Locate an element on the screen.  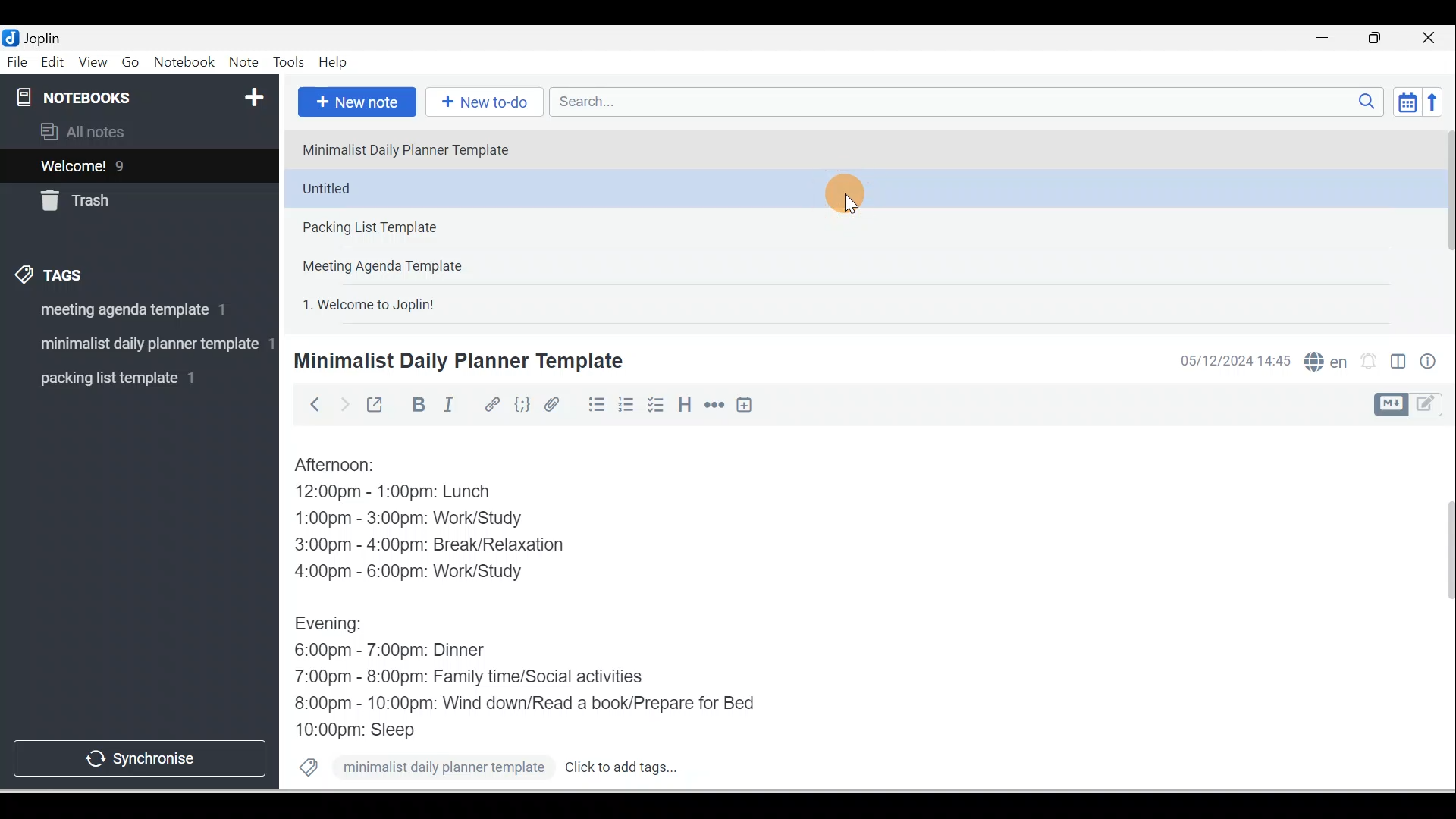
Afternoon: is located at coordinates (345, 466).